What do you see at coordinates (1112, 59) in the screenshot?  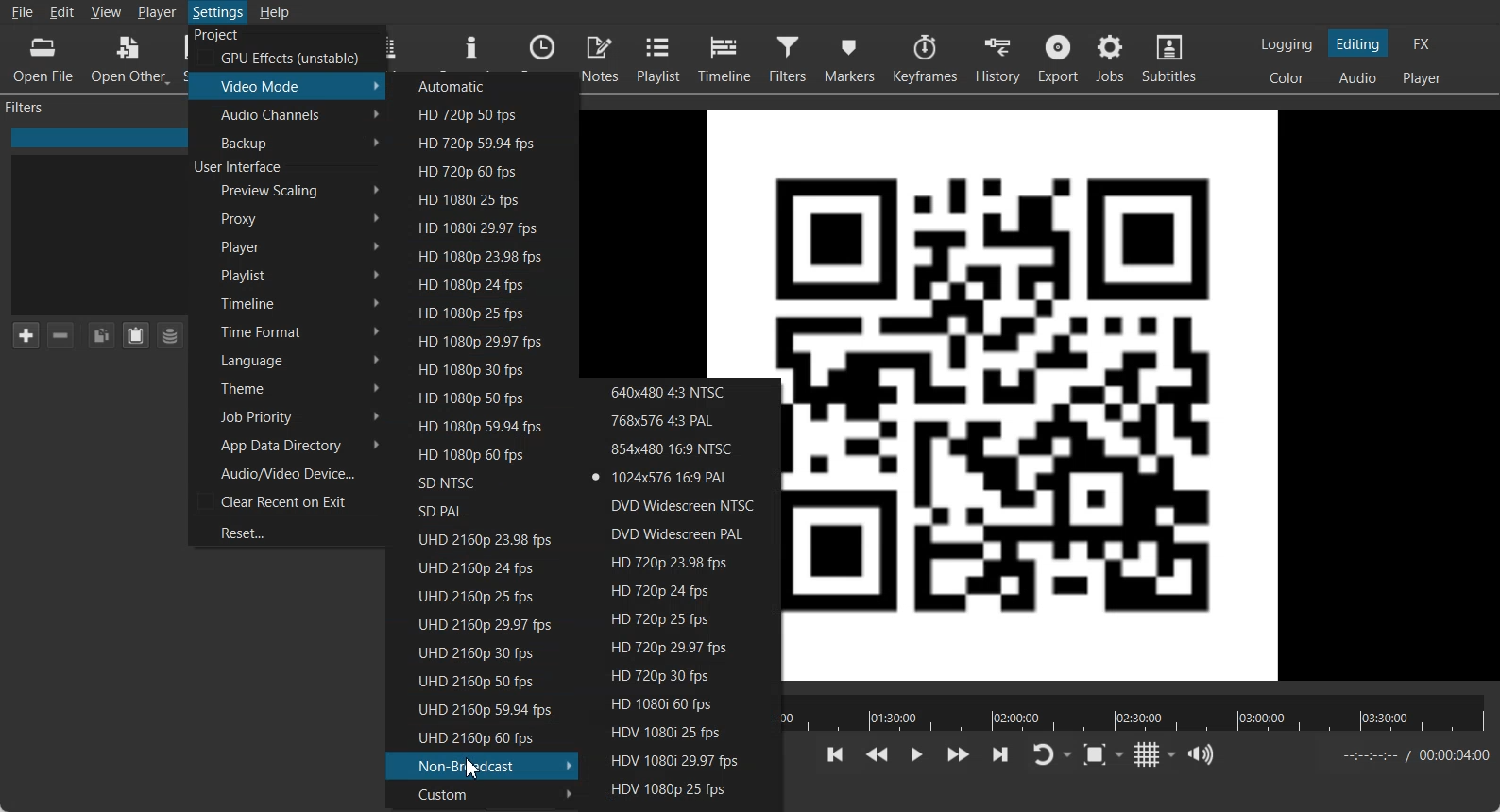 I see `Jobs` at bounding box center [1112, 59].